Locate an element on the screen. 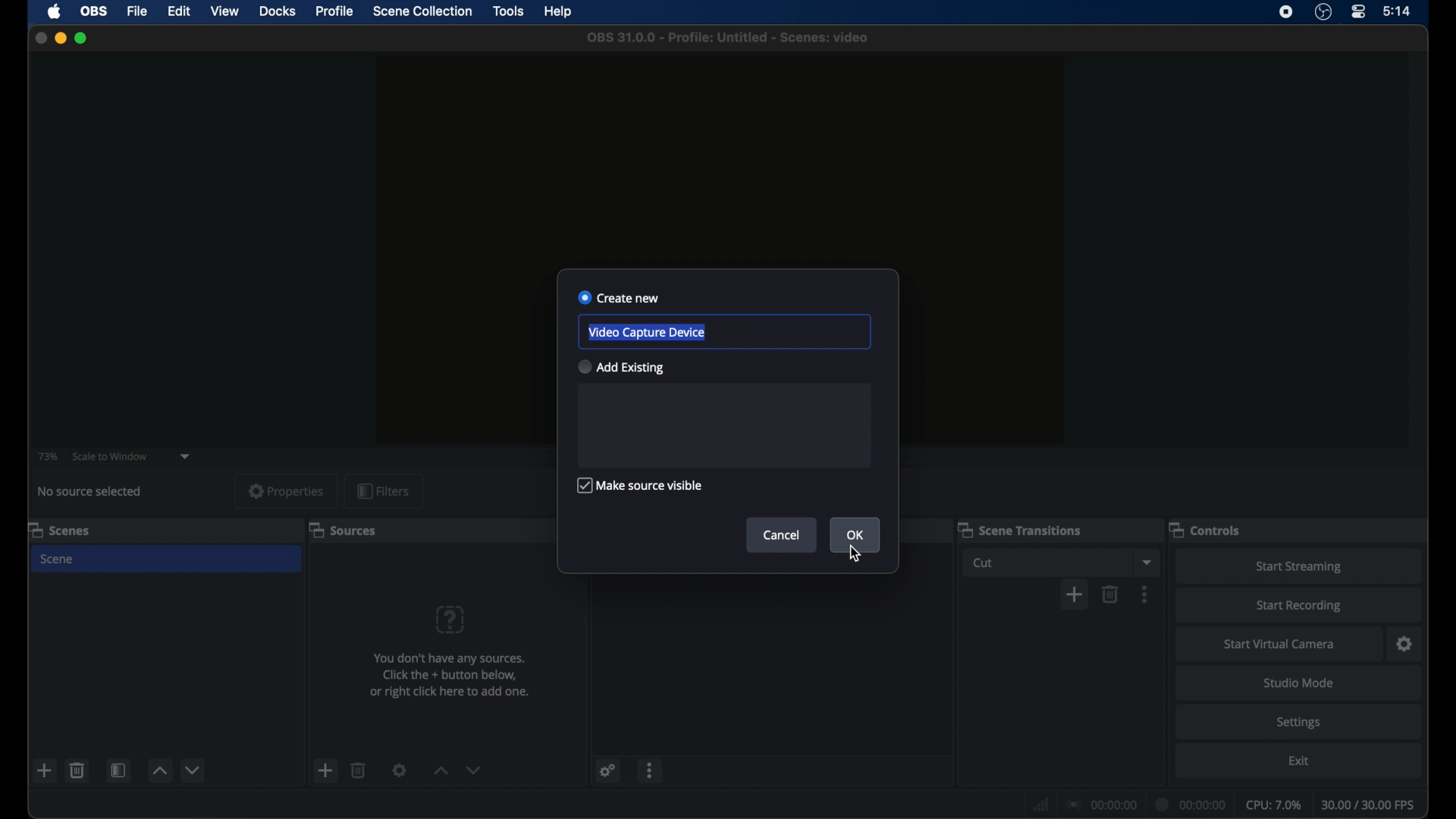 The height and width of the screenshot is (819, 1456). increment is located at coordinates (161, 771).